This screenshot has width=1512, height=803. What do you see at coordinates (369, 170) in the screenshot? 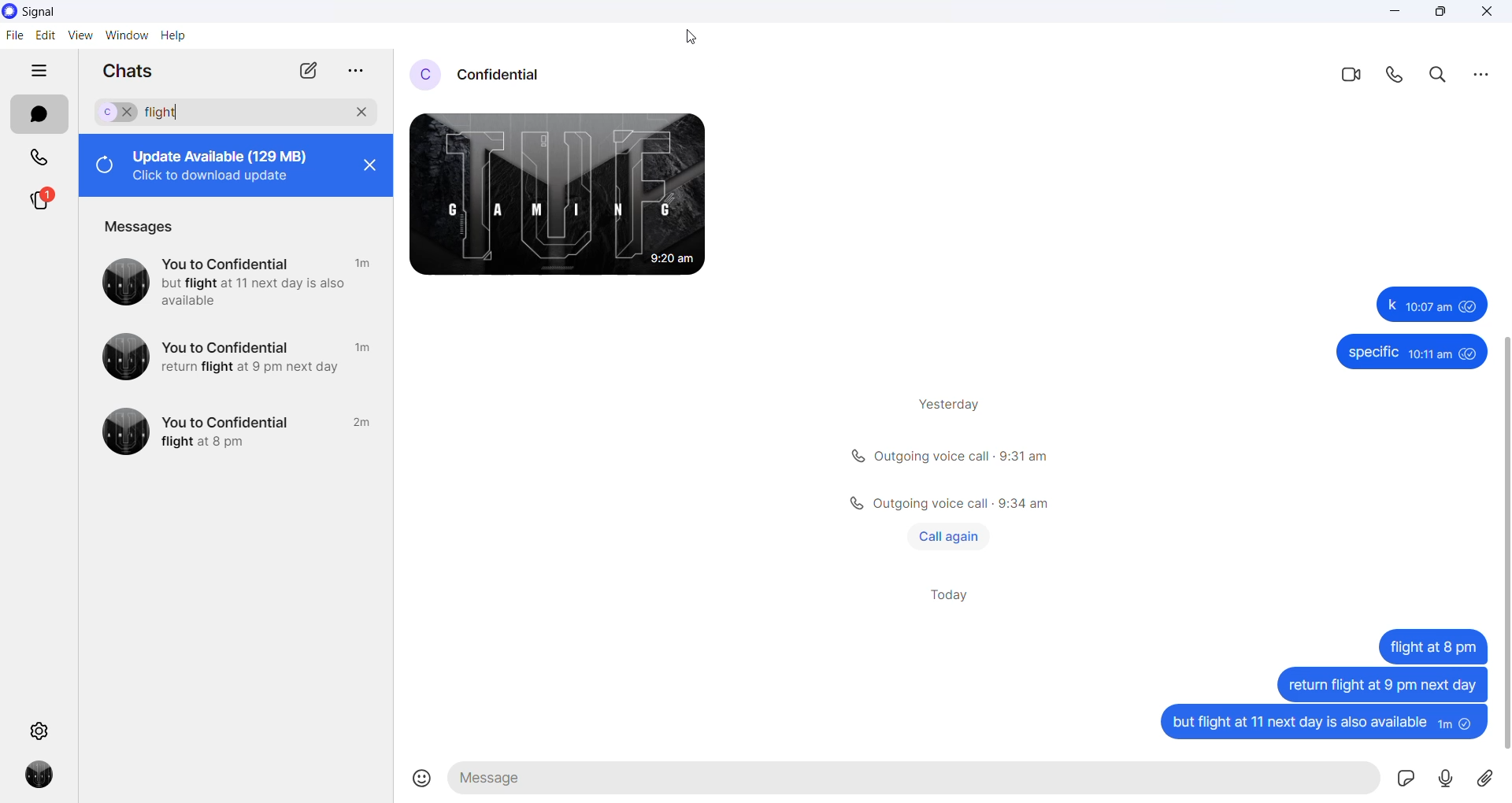
I see `close` at bounding box center [369, 170].